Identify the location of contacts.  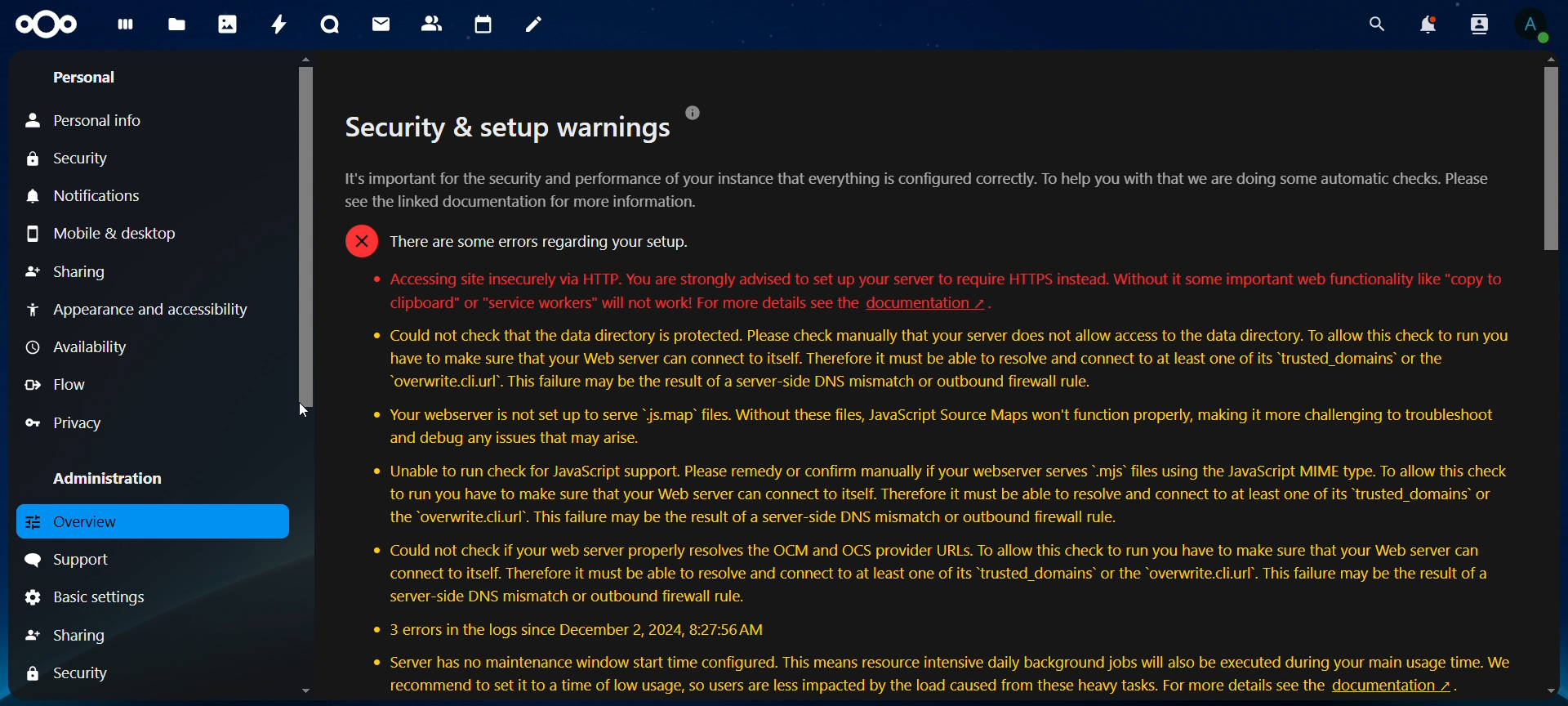
(433, 25).